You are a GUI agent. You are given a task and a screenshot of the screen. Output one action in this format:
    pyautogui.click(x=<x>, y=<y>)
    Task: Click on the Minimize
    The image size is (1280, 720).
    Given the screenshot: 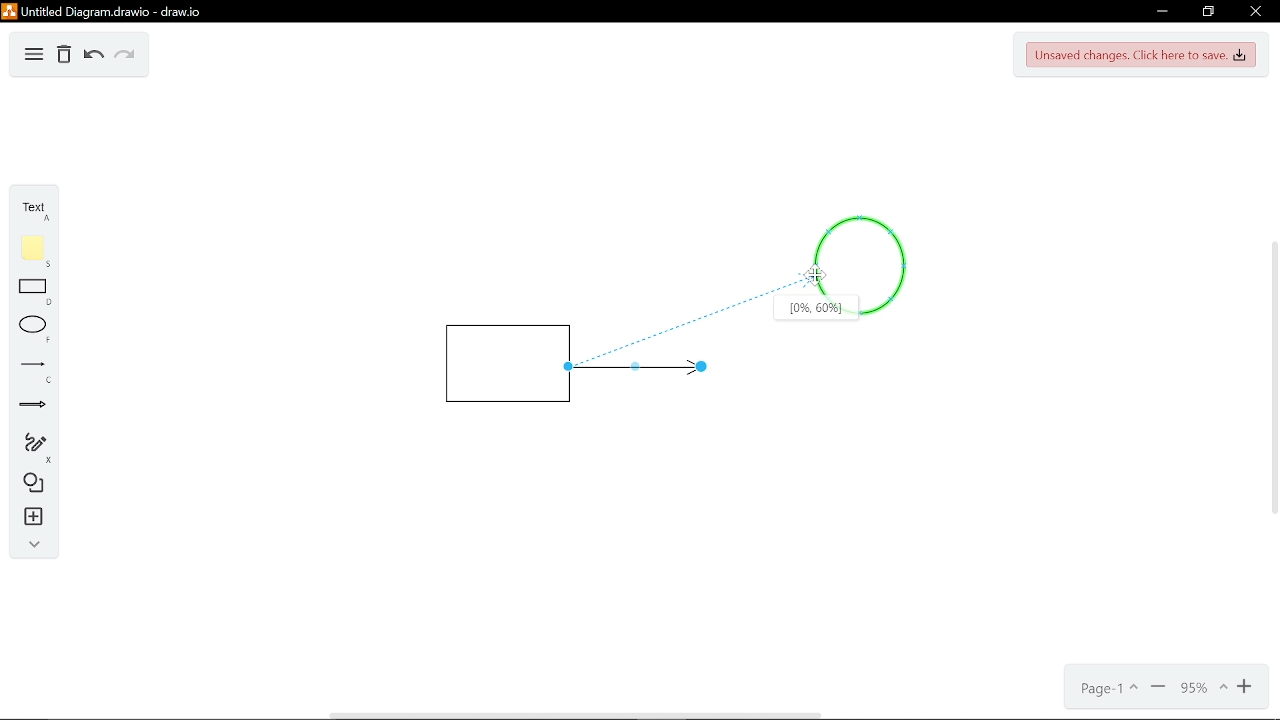 What is the action you would take?
    pyautogui.click(x=1159, y=689)
    